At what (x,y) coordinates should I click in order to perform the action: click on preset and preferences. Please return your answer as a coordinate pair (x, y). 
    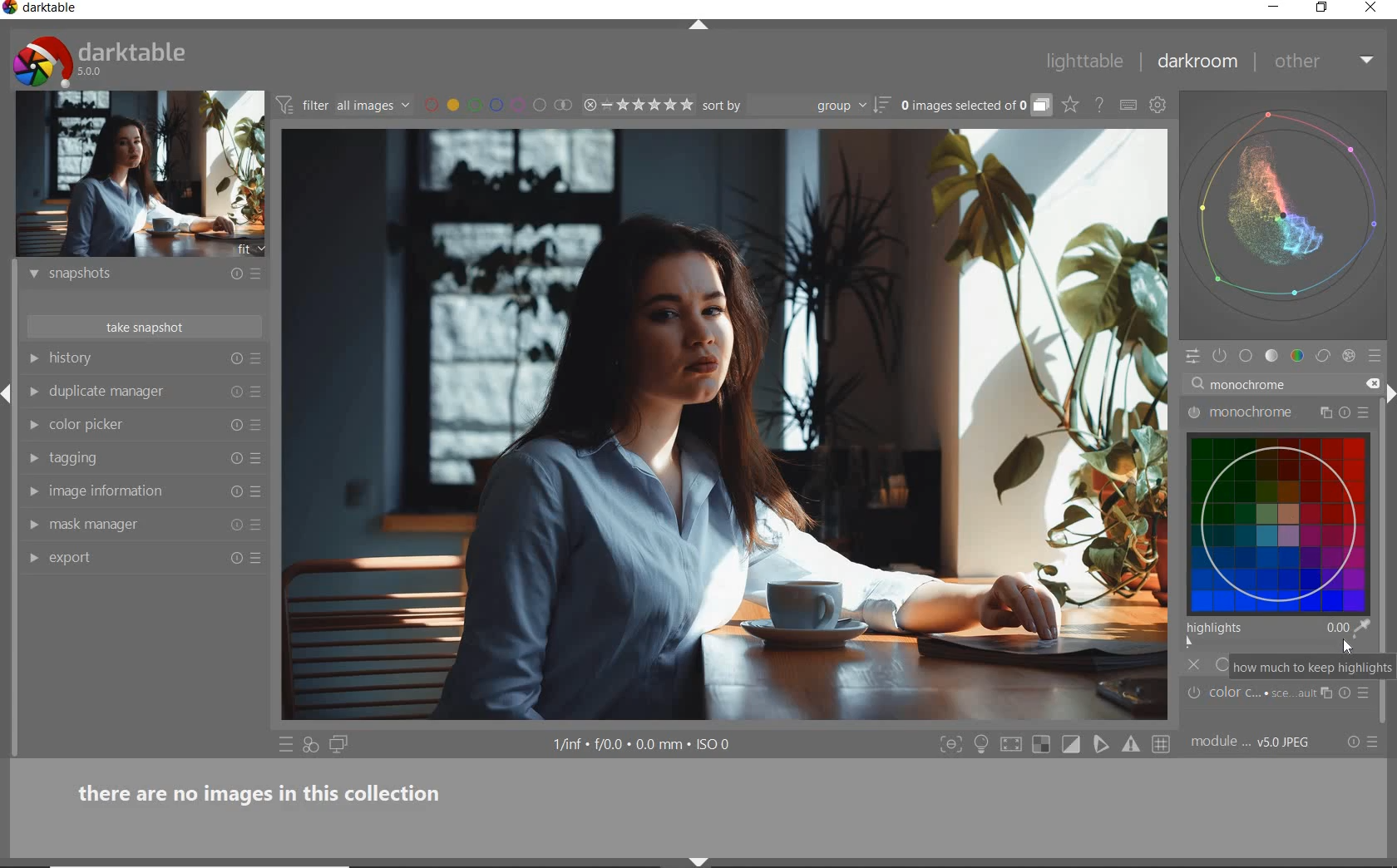
    Looking at the image, I should click on (257, 392).